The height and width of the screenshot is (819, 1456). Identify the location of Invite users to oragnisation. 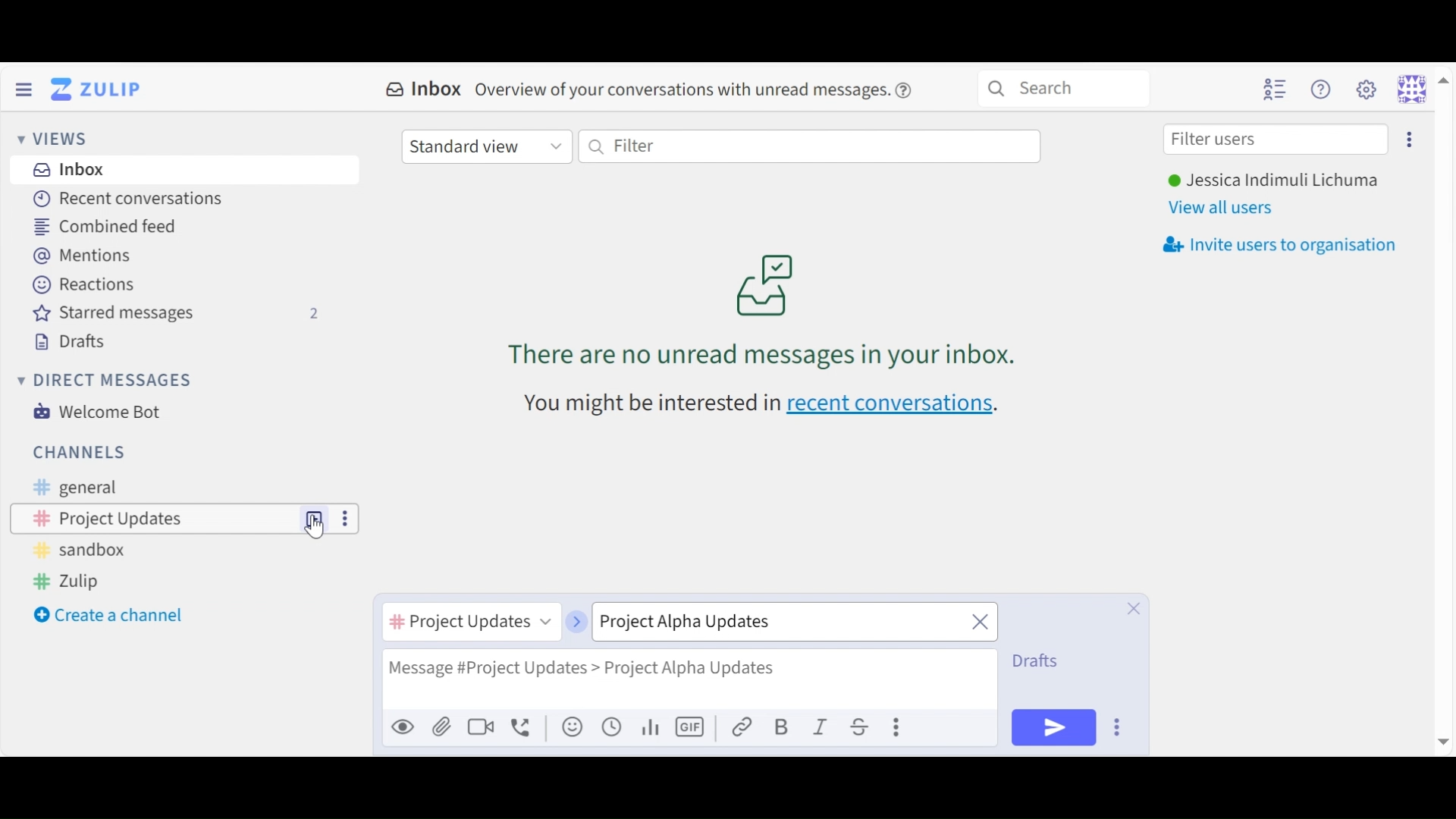
(1287, 245).